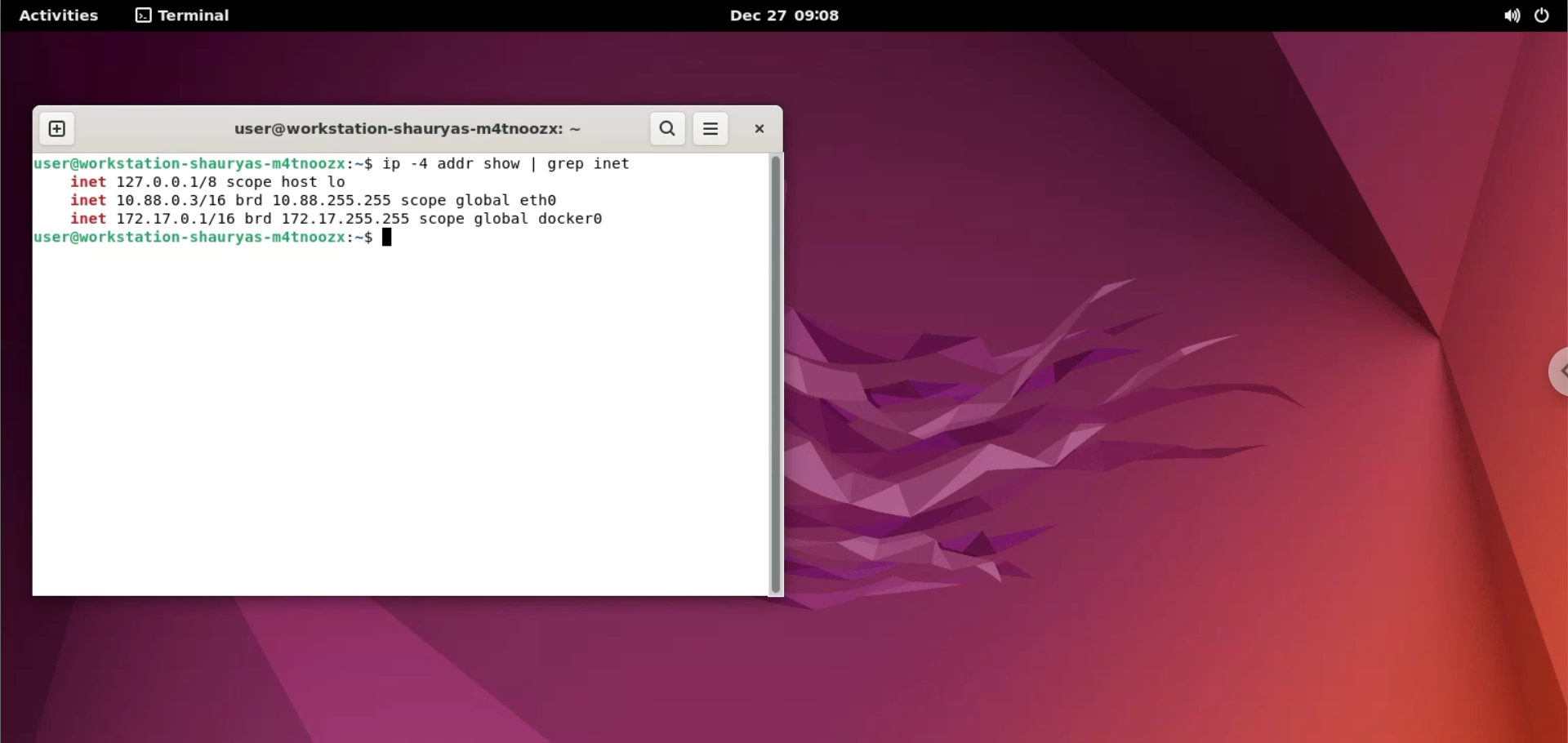  Describe the element at coordinates (1553, 376) in the screenshot. I see `chrome options` at that location.